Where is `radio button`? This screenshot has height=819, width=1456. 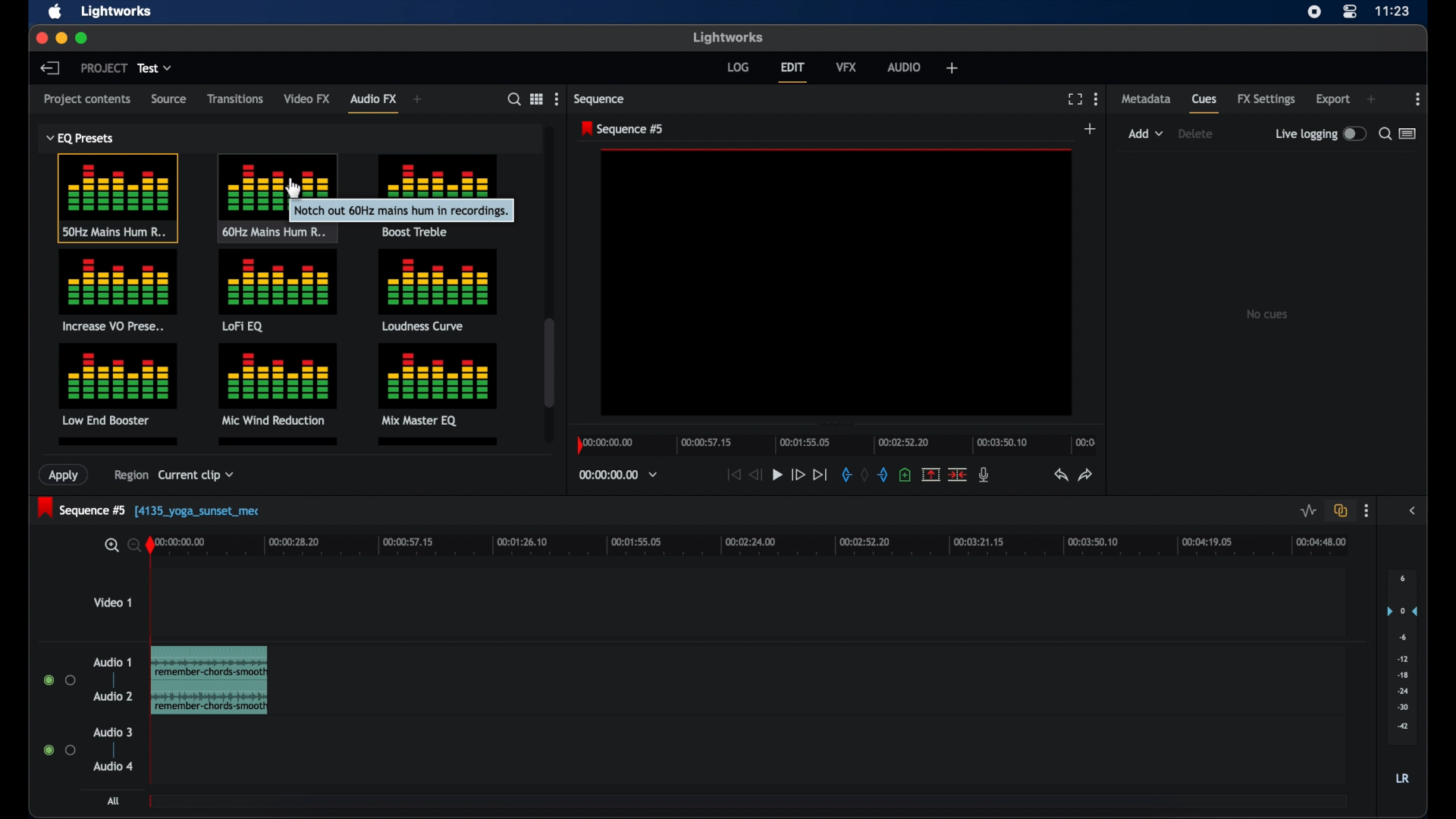 radio button is located at coordinates (60, 749).